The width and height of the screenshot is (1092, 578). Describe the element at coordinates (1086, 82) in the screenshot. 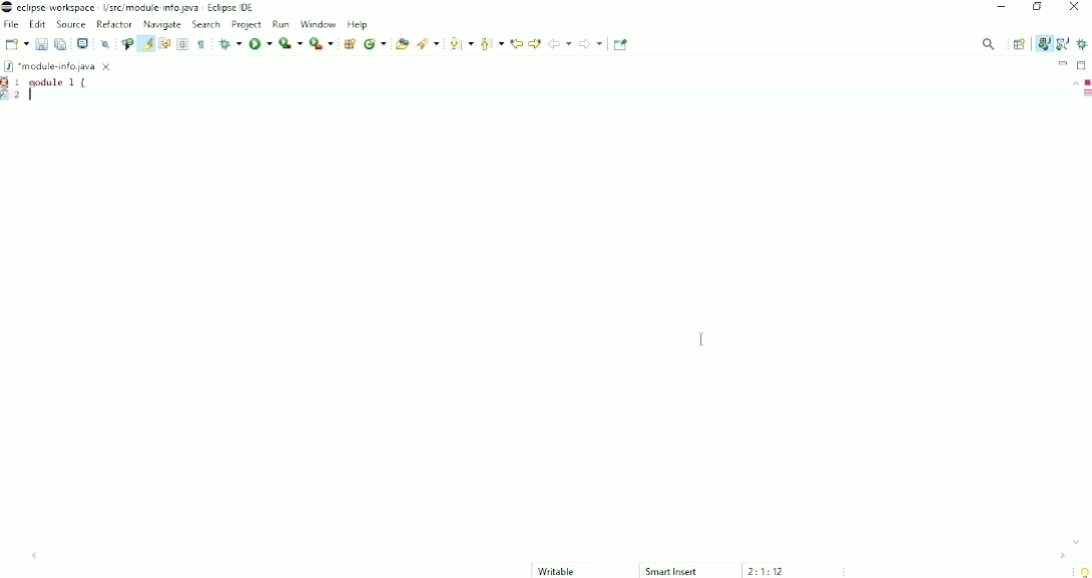

I see `Errors` at that location.